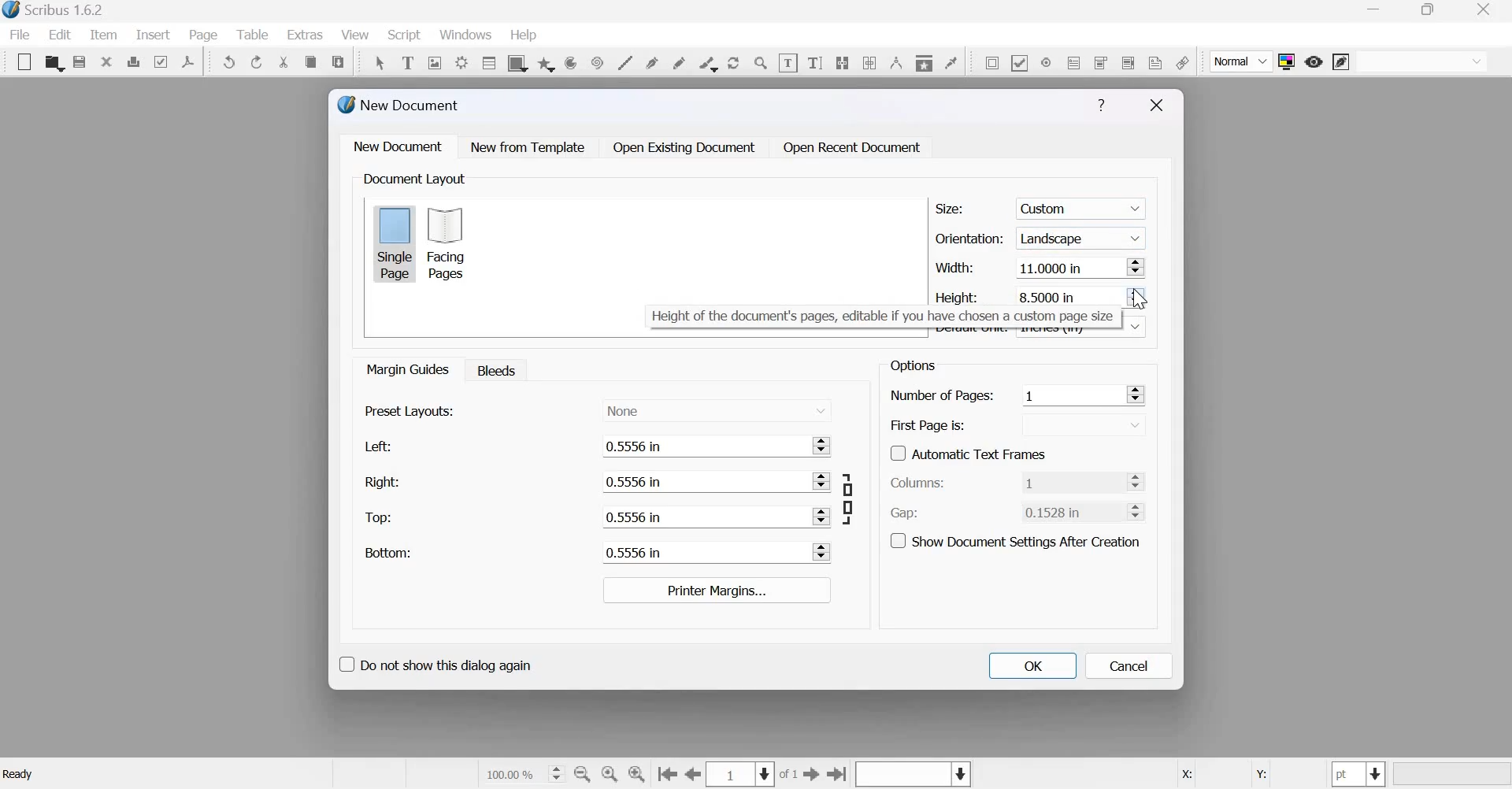 Image resolution: width=1512 pixels, height=789 pixels. I want to click on Script, so click(403, 35).